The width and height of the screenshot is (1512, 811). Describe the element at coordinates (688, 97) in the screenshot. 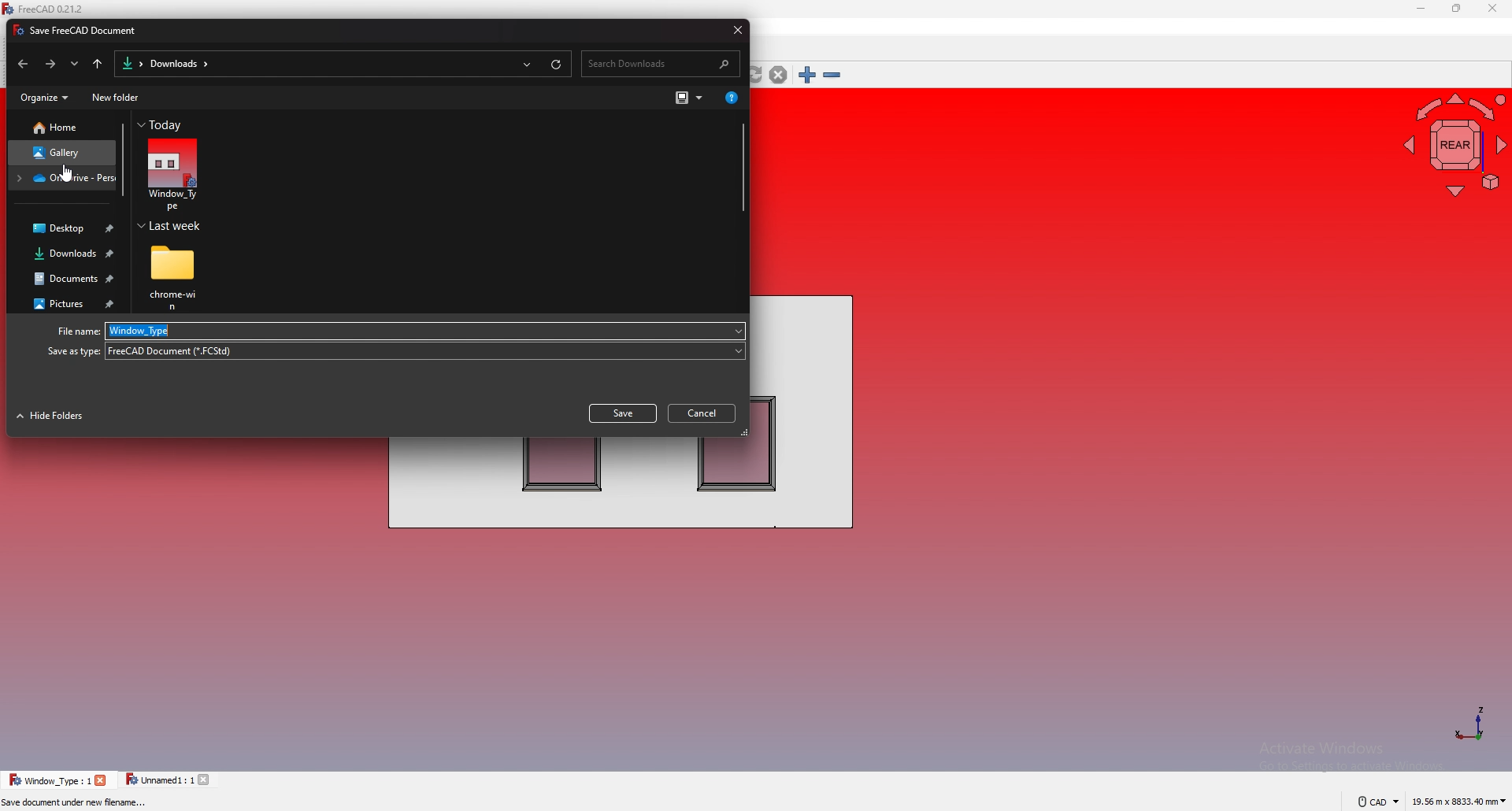

I see `change your view` at that location.